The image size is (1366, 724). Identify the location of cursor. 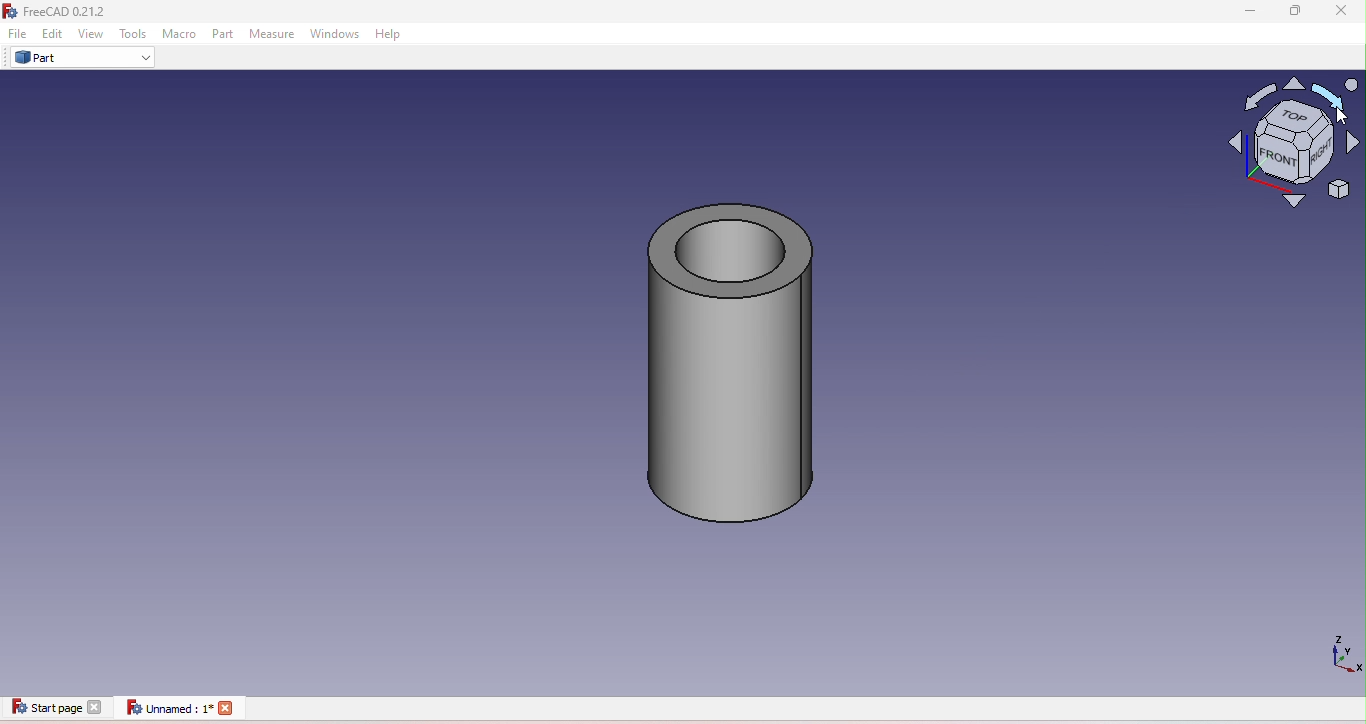
(1342, 117).